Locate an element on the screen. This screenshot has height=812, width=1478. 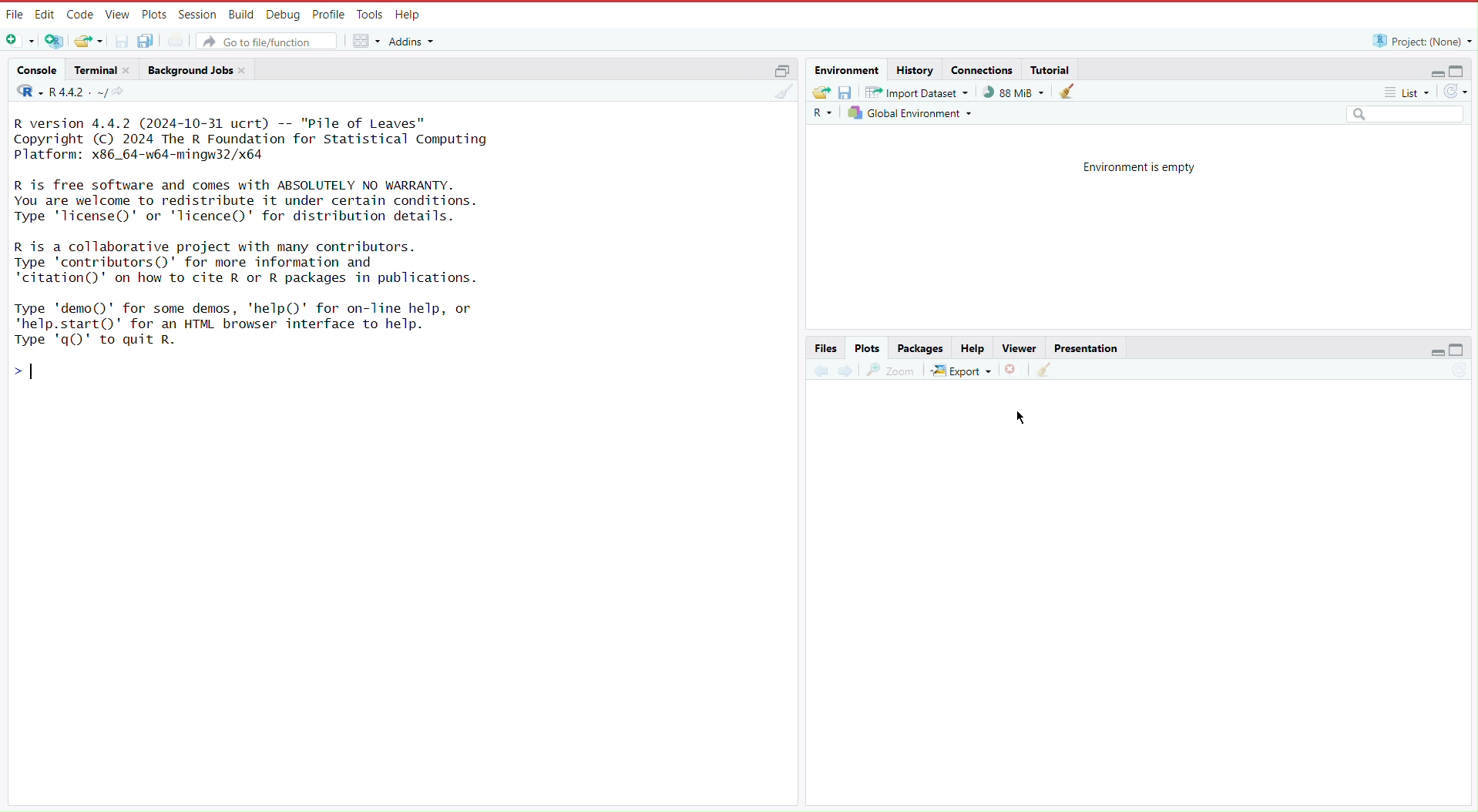
Tools is located at coordinates (368, 15).